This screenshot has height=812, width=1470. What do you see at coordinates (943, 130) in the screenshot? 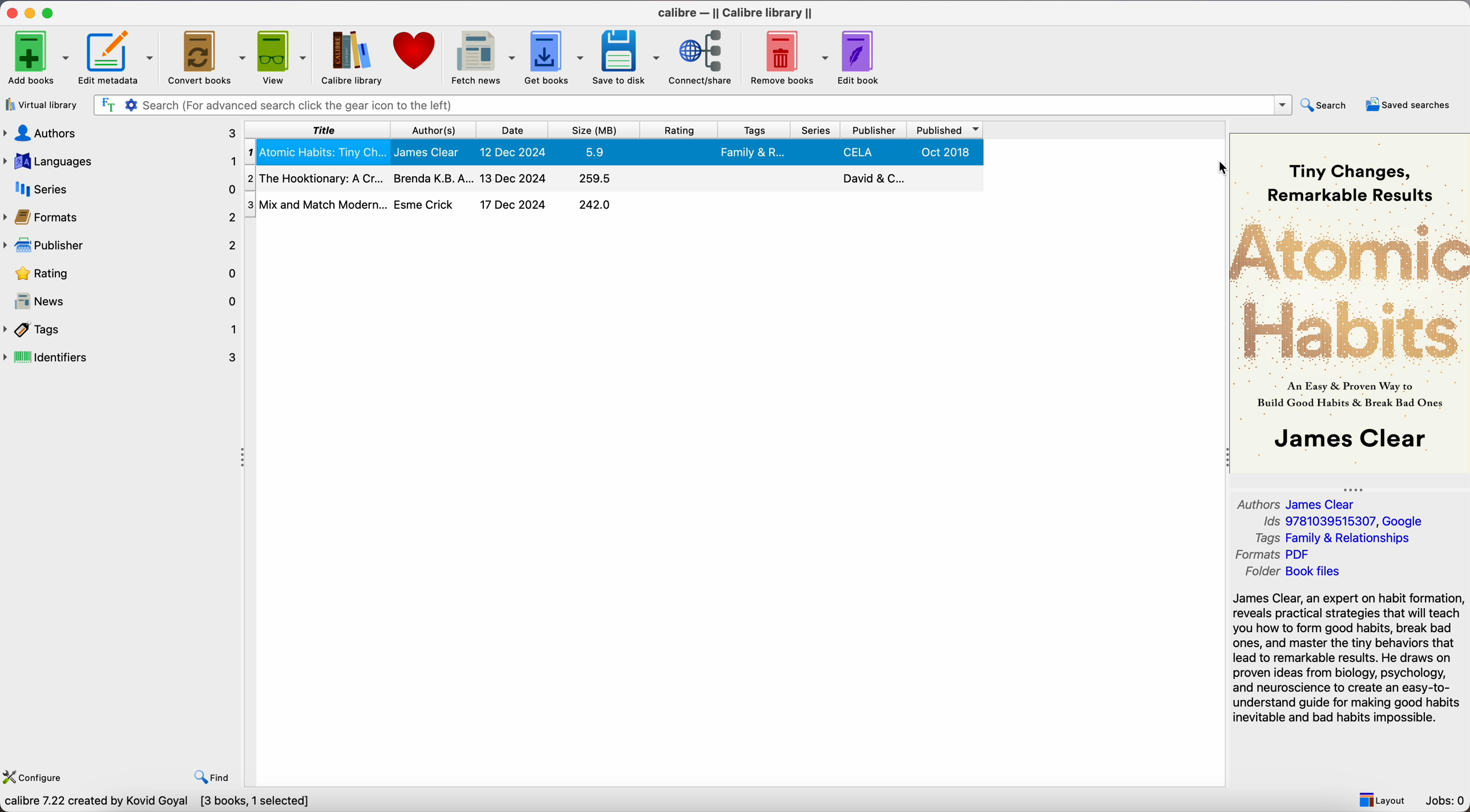
I see `published` at bounding box center [943, 130].